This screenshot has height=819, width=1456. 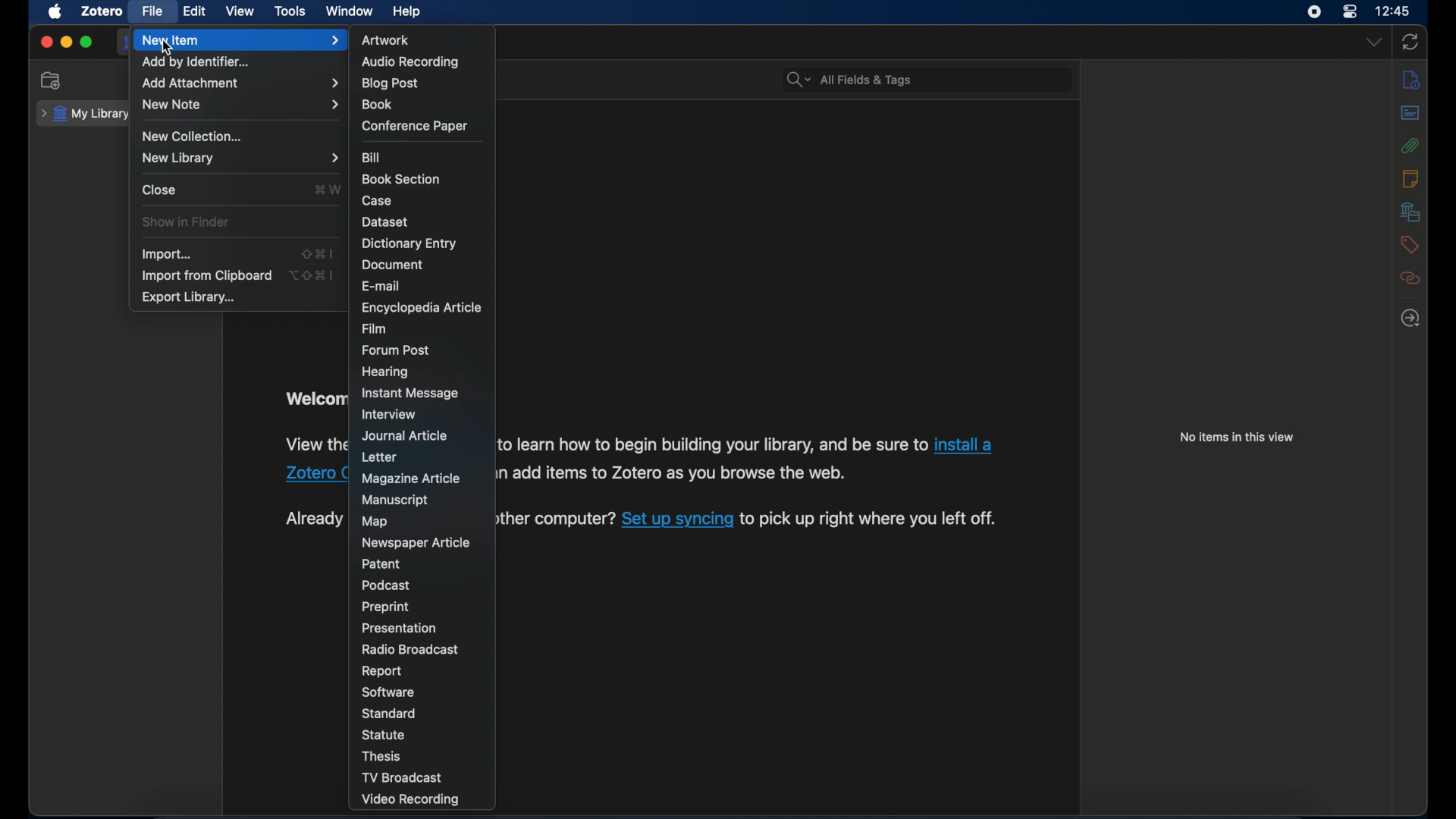 What do you see at coordinates (1411, 146) in the screenshot?
I see `attachments` at bounding box center [1411, 146].